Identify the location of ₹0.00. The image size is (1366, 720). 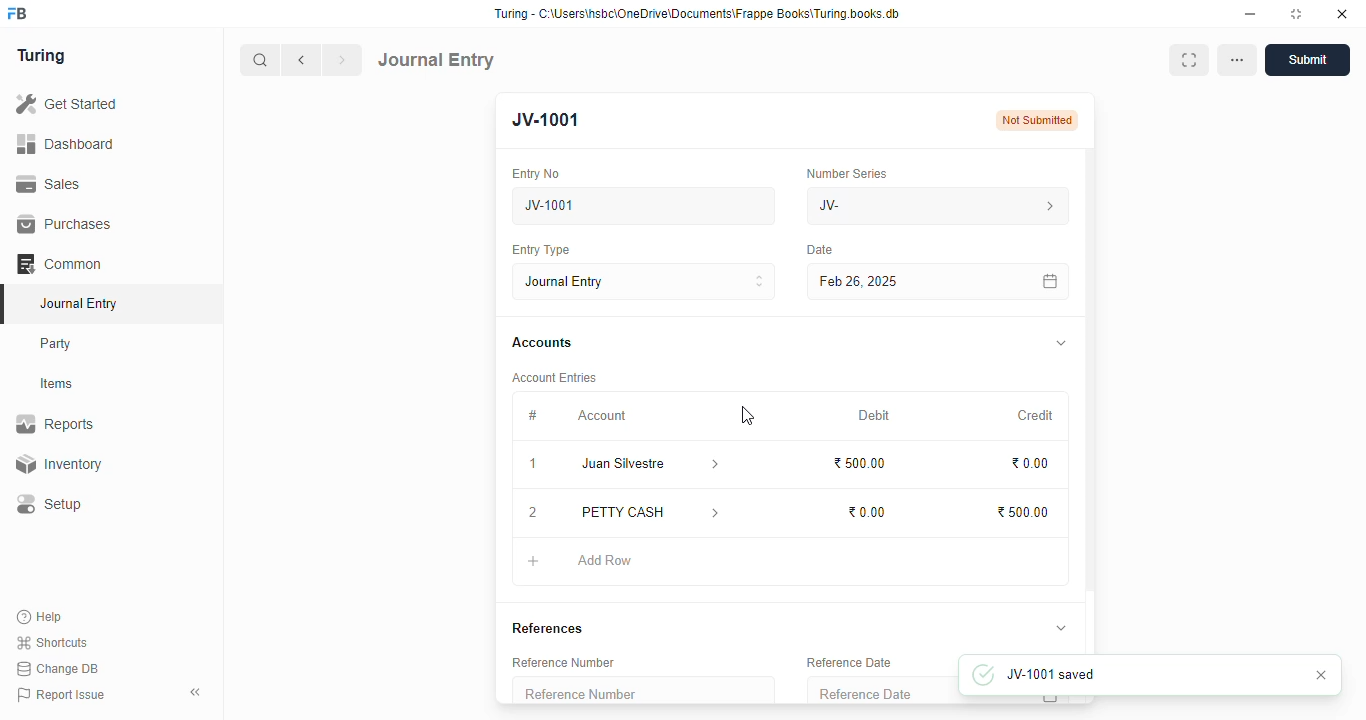
(869, 512).